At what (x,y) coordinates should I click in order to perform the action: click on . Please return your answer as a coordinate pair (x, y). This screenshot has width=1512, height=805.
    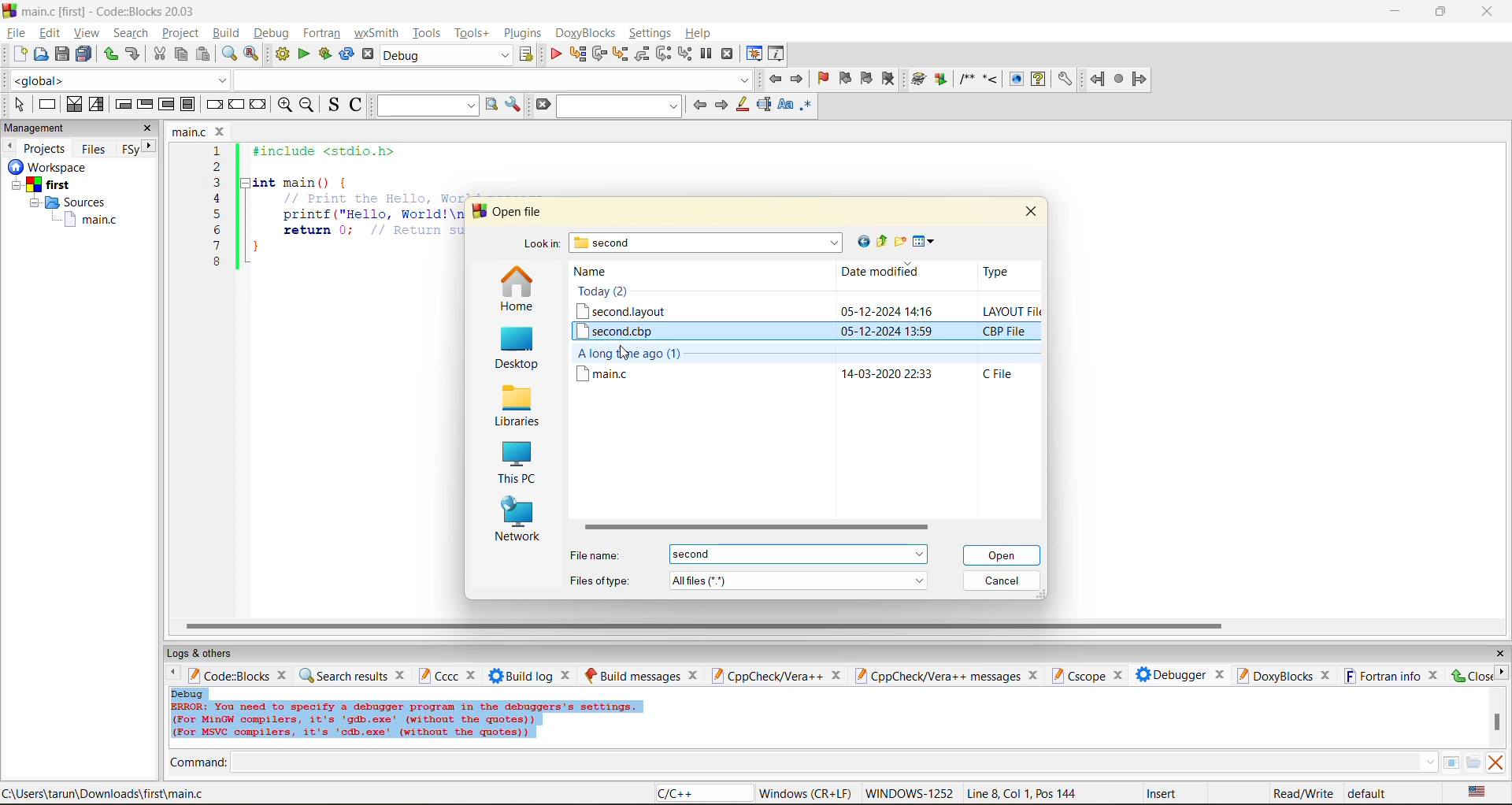
    Looking at the image, I should click on (44, 167).